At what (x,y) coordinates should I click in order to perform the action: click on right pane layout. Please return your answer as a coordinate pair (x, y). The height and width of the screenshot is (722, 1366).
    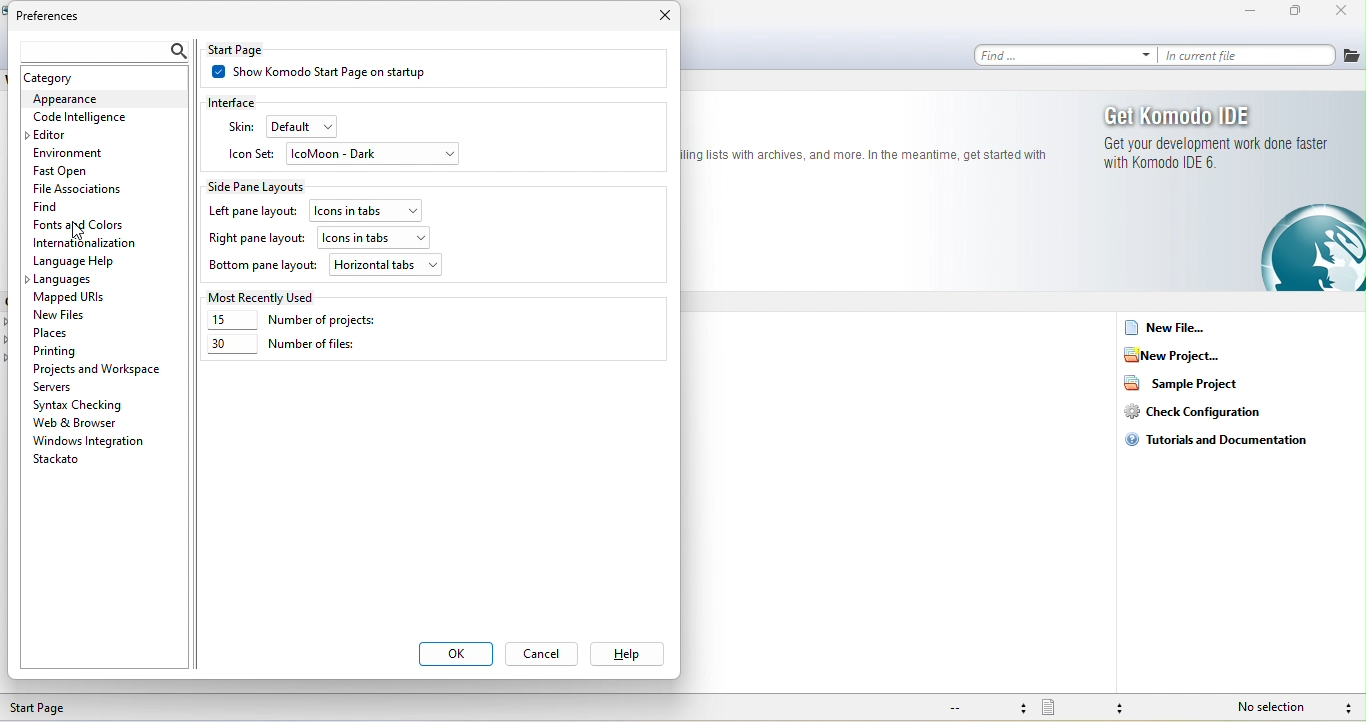
    Looking at the image, I should click on (256, 238).